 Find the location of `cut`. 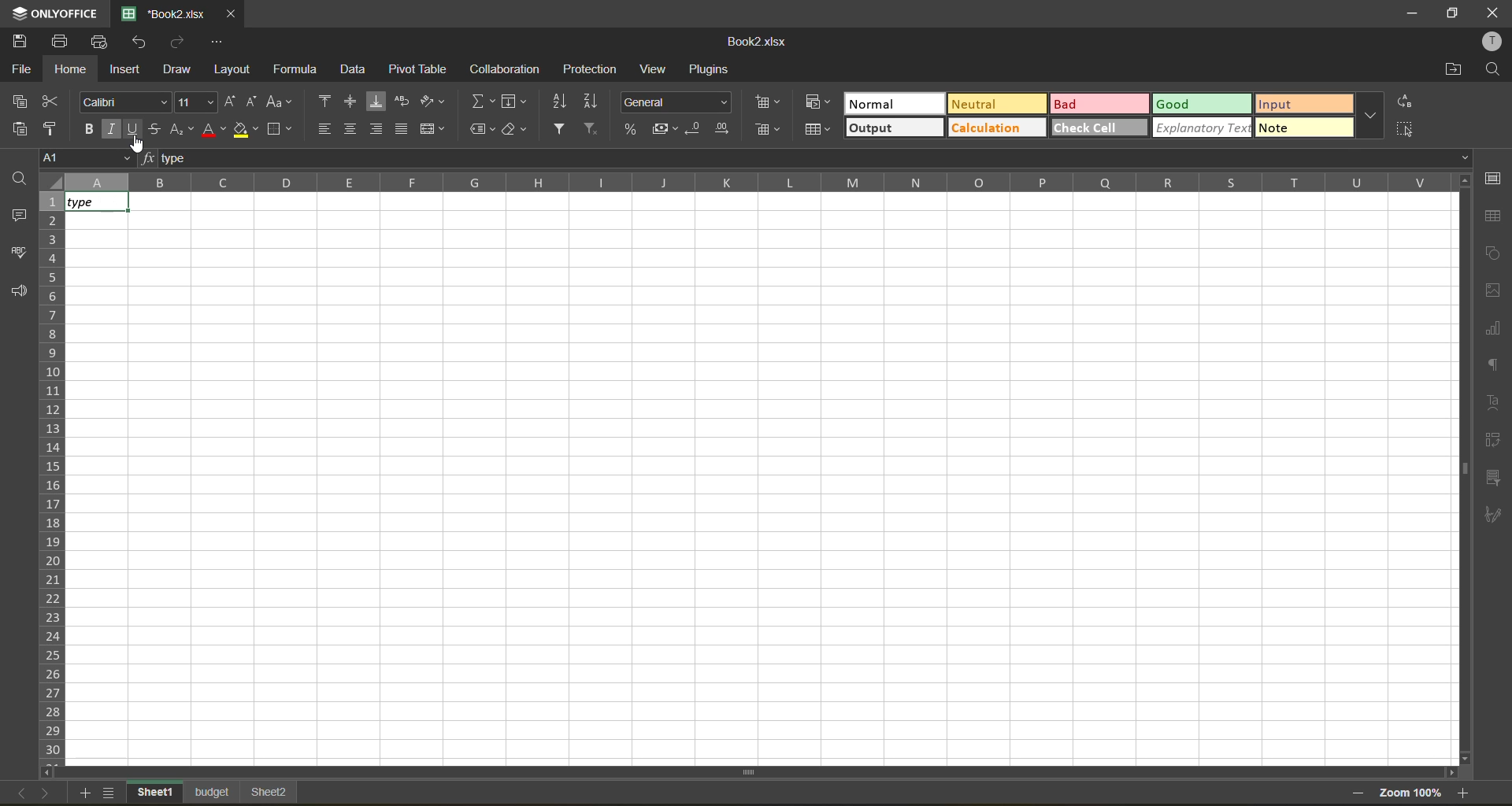

cut is located at coordinates (52, 102).